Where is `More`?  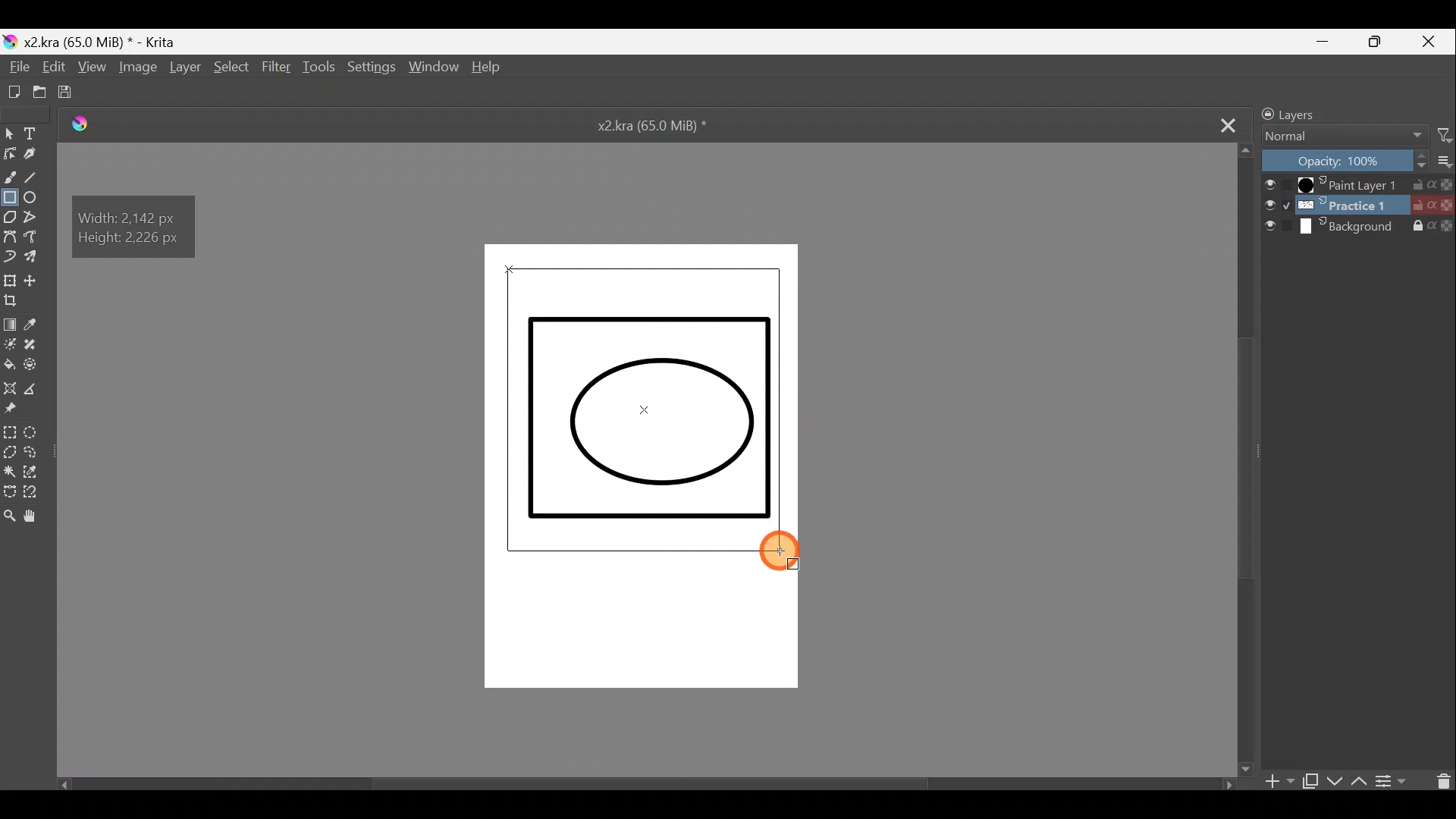 More is located at coordinates (1445, 158).